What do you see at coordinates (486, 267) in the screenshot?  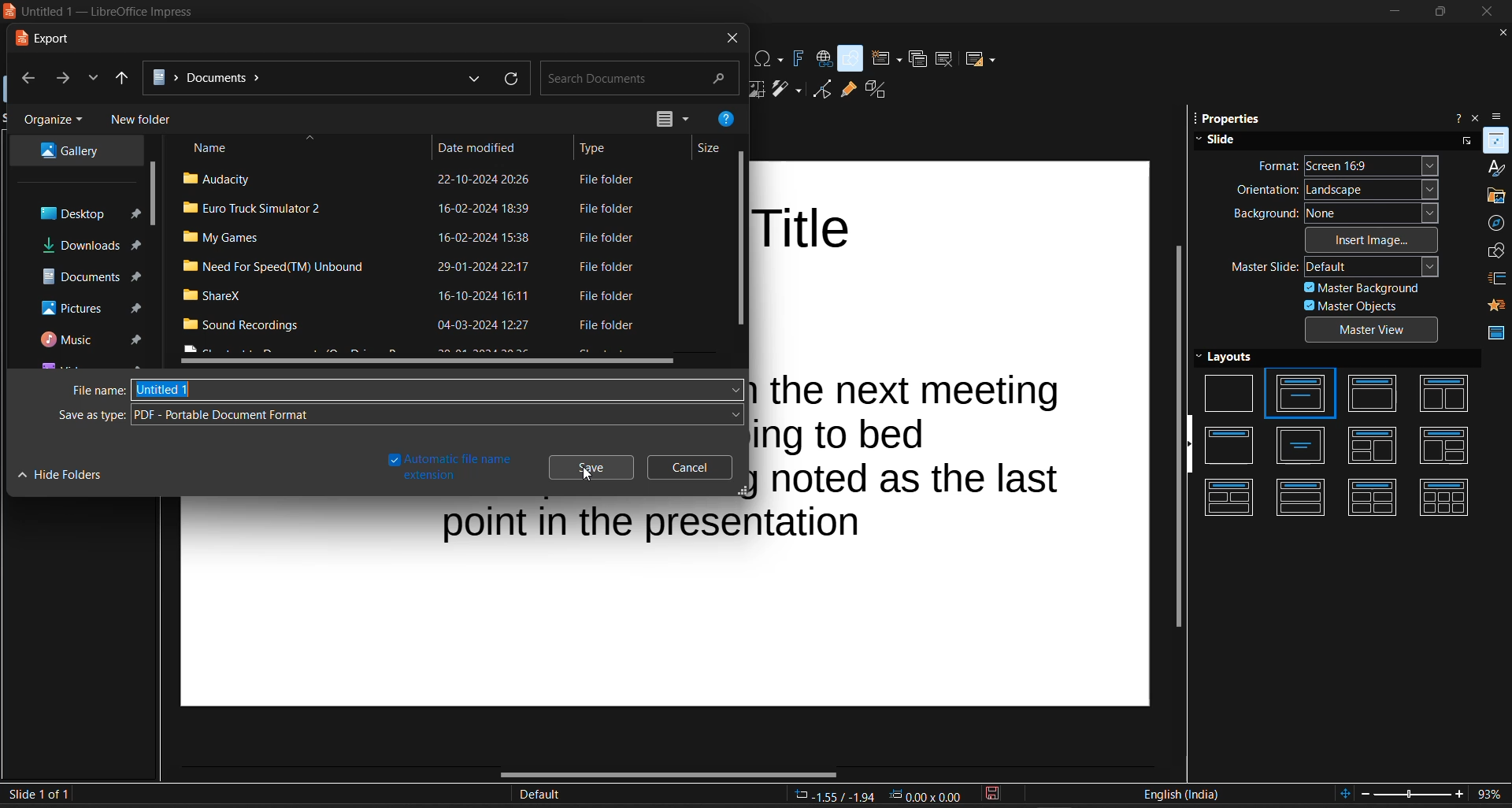 I see `29-01-2024 22:17` at bounding box center [486, 267].